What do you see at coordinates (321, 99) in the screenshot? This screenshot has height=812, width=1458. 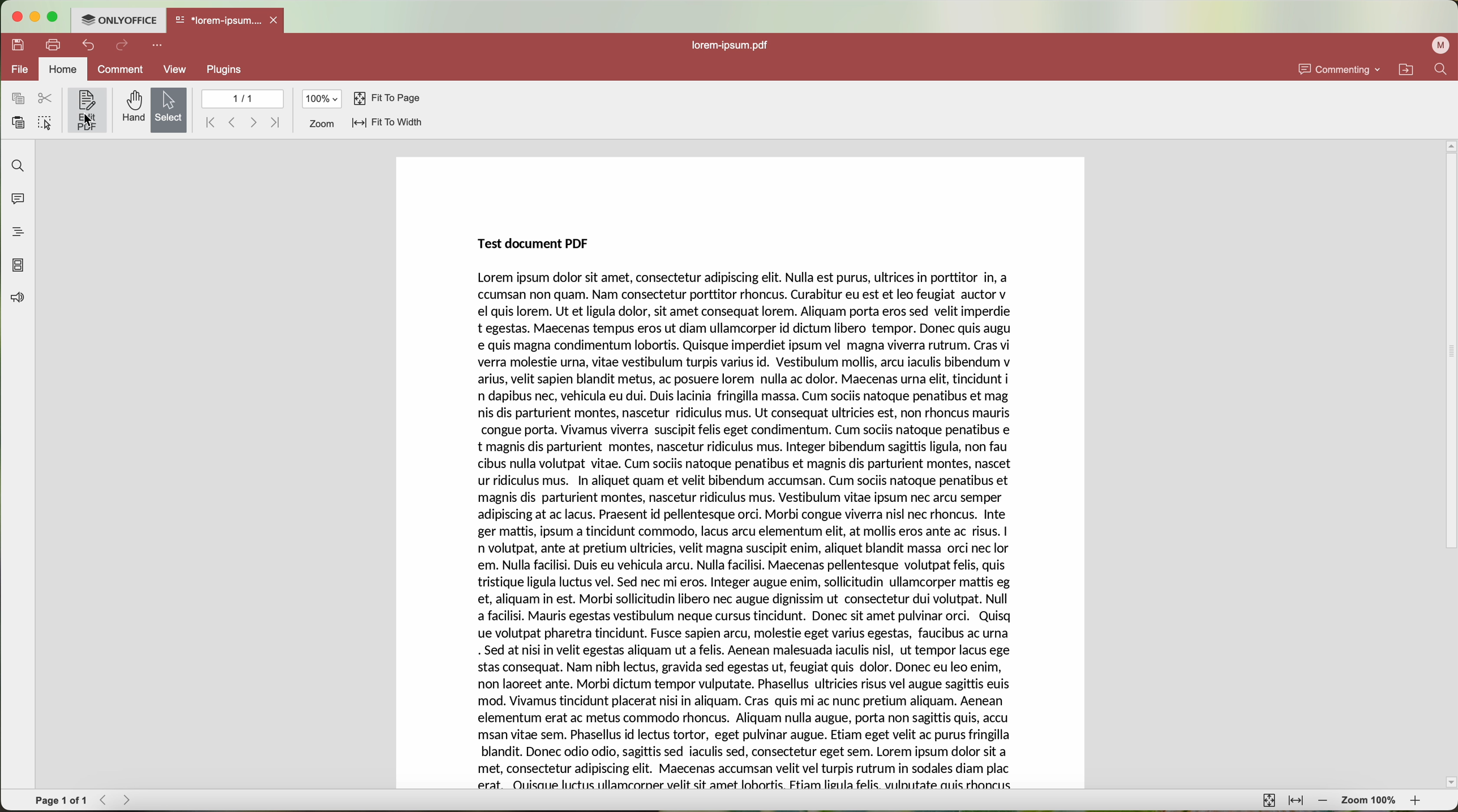 I see `100%` at bounding box center [321, 99].